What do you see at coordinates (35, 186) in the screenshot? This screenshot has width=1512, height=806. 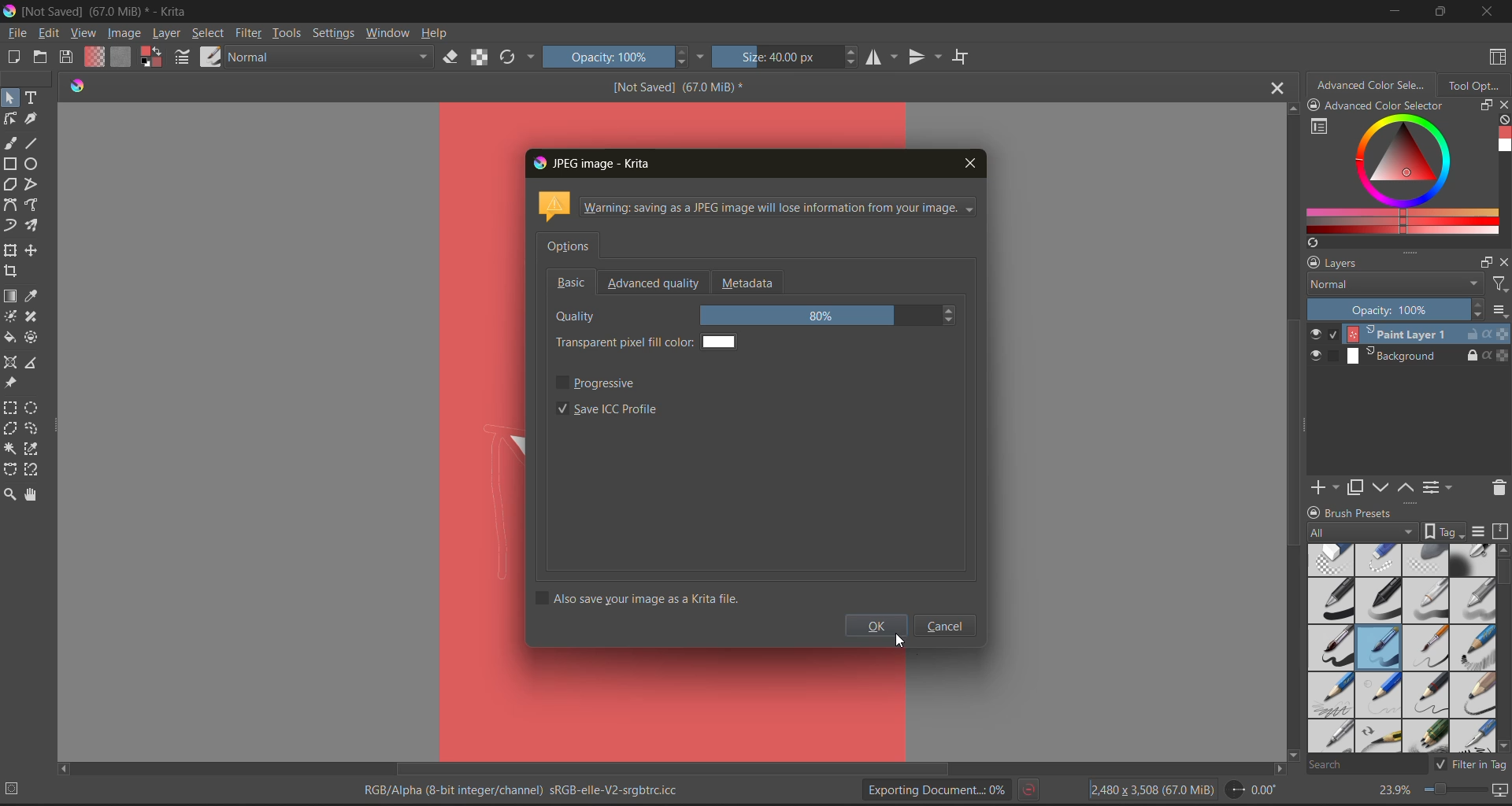 I see `tools` at bounding box center [35, 186].